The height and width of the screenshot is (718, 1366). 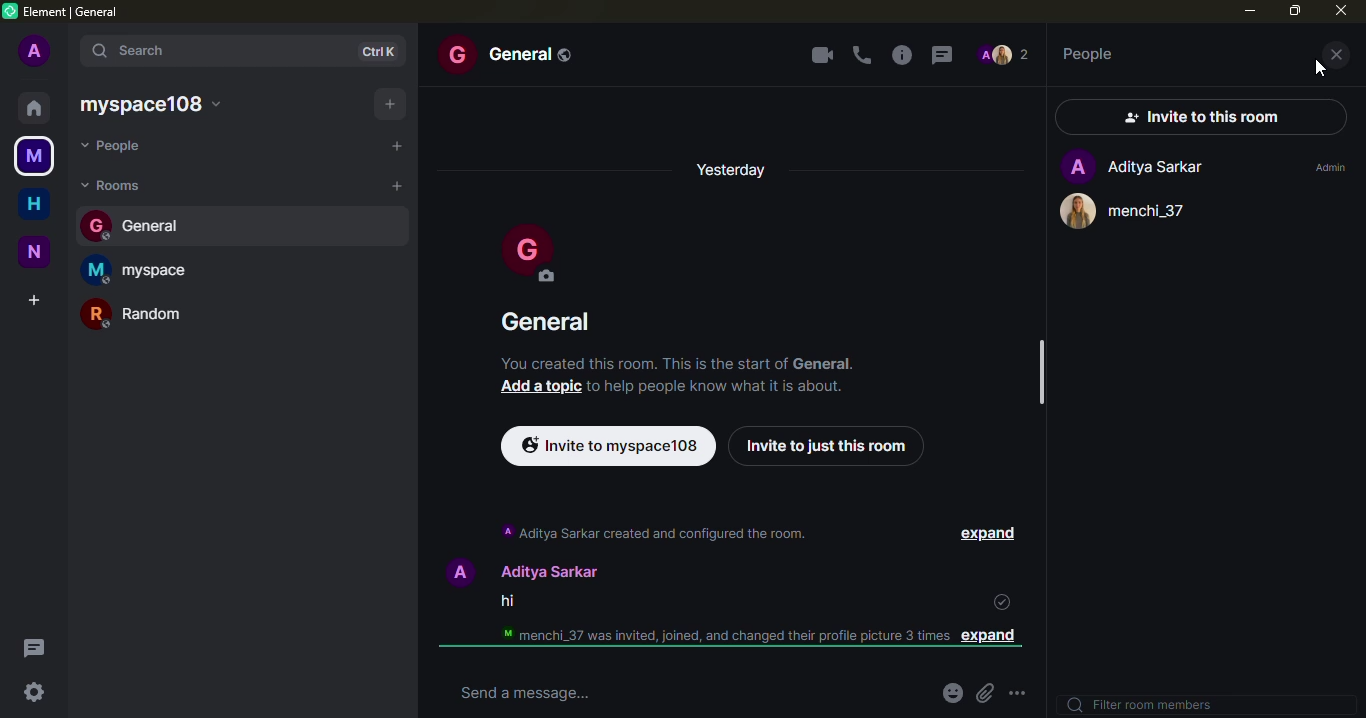 I want to click on people, so click(x=1098, y=53).